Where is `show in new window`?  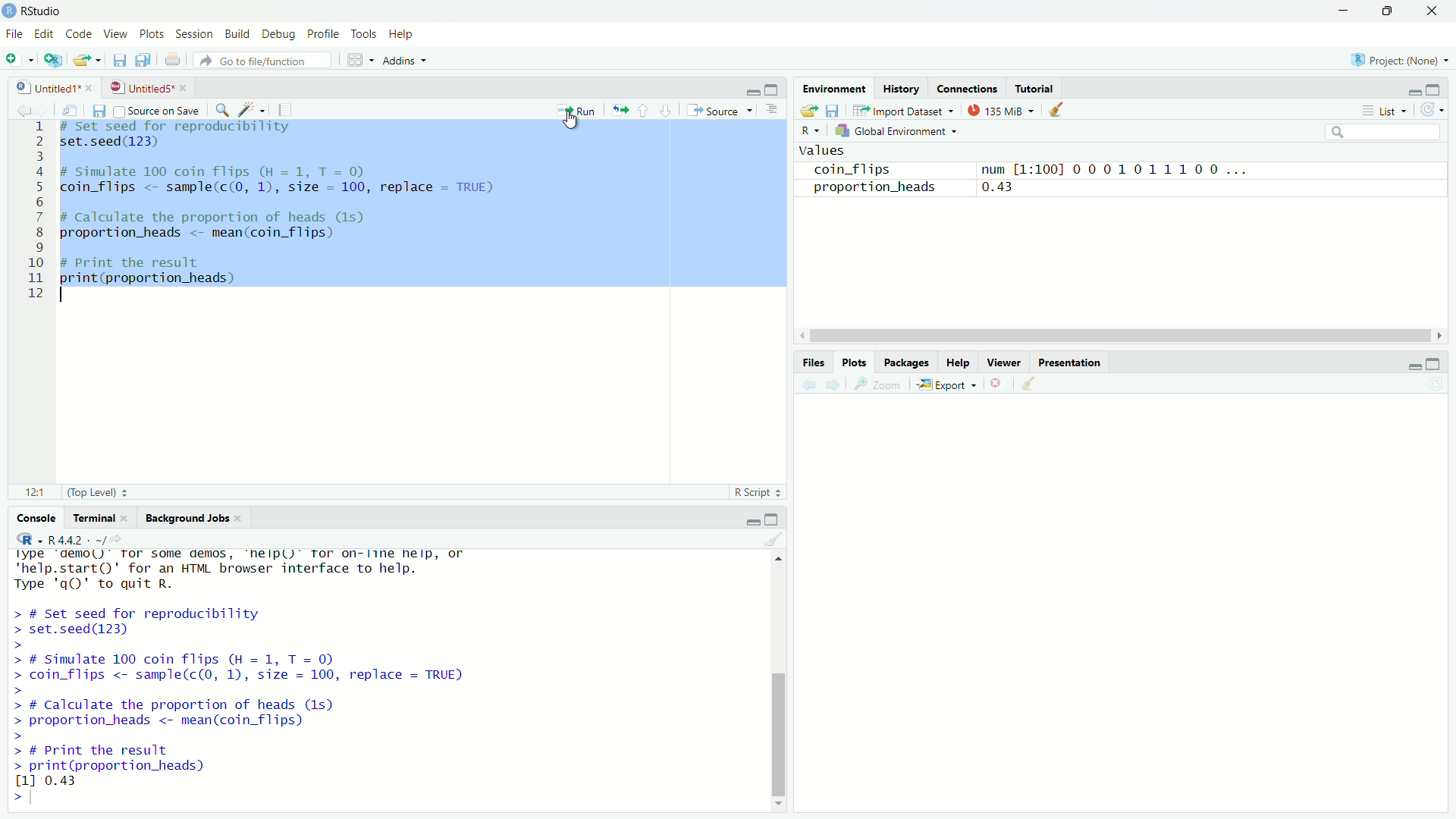
show in new window is located at coordinates (68, 109).